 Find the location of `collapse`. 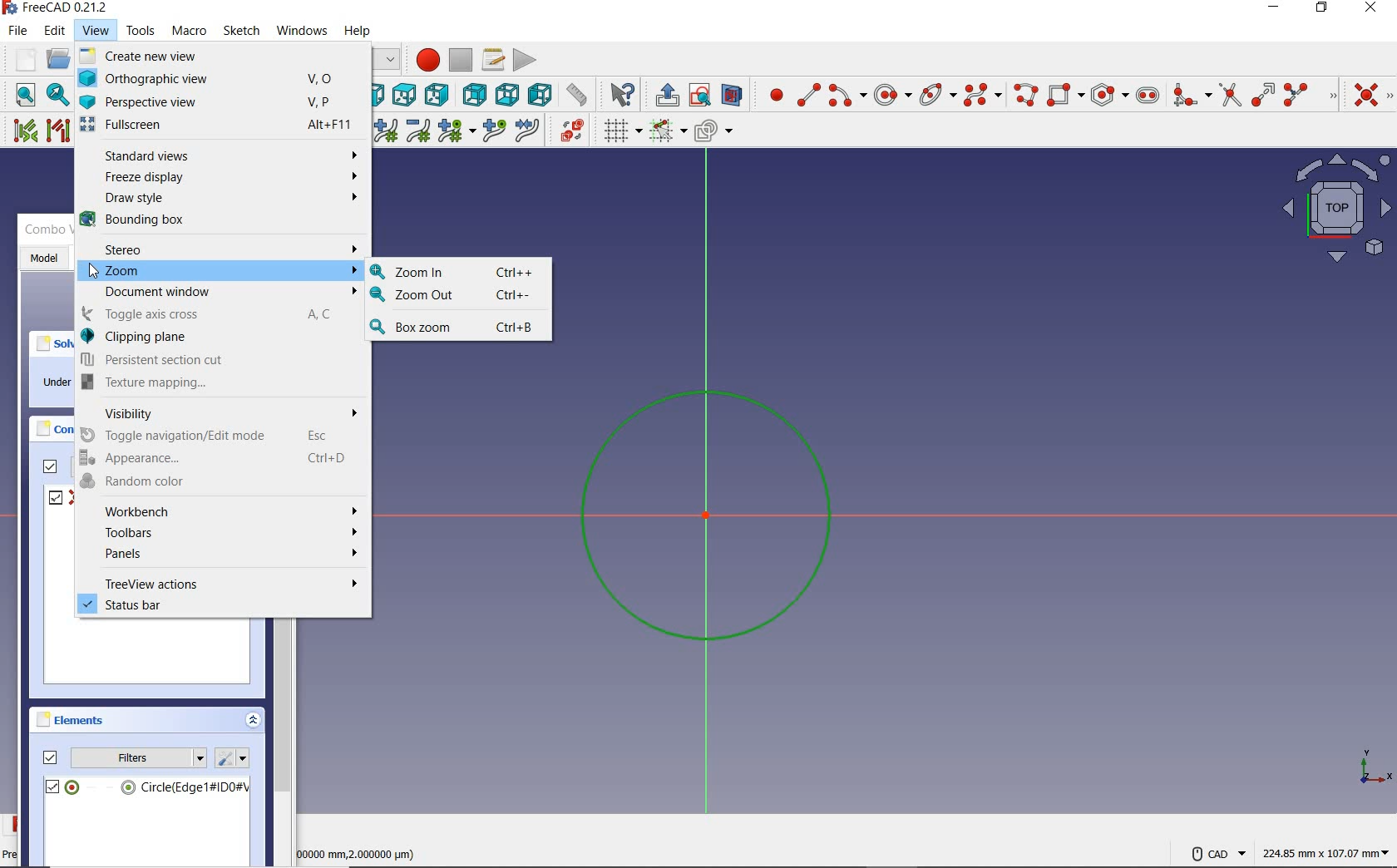

collapse is located at coordinates (254, 722).